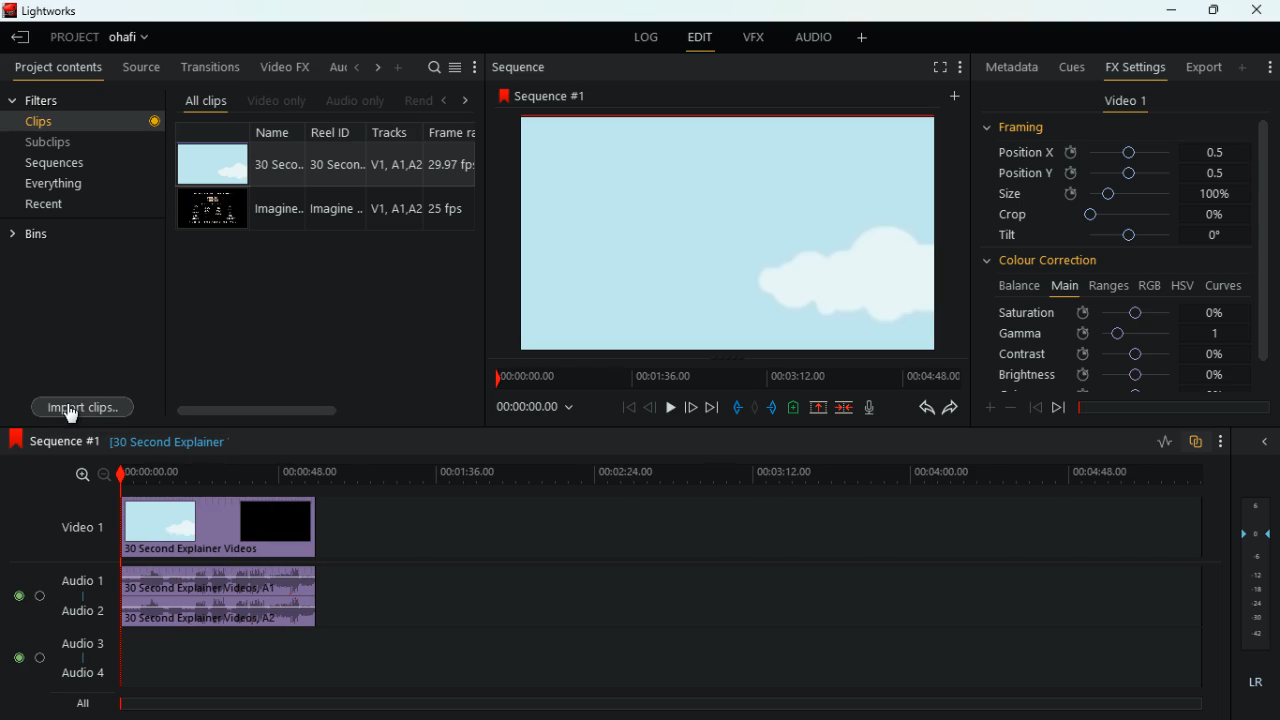 Image resolution: width=1280 pixels, height=720 pixels. I want to click on filters, so click(42, 101).